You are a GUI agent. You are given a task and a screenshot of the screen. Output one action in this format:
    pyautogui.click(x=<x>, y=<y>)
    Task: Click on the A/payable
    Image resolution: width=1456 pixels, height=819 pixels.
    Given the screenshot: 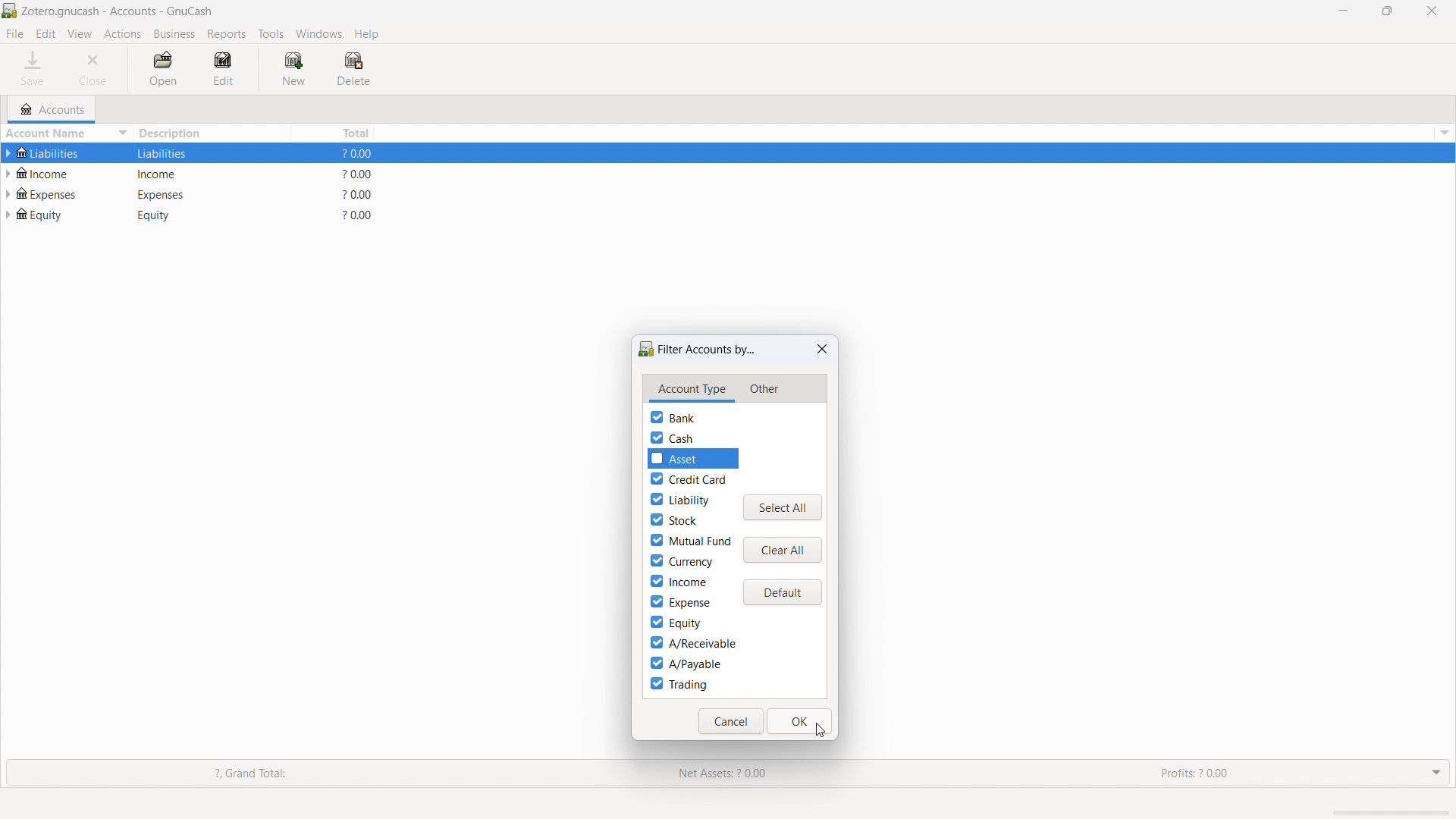 What is the action you would take?
    pyautogui.click(x=686, y=663)
    